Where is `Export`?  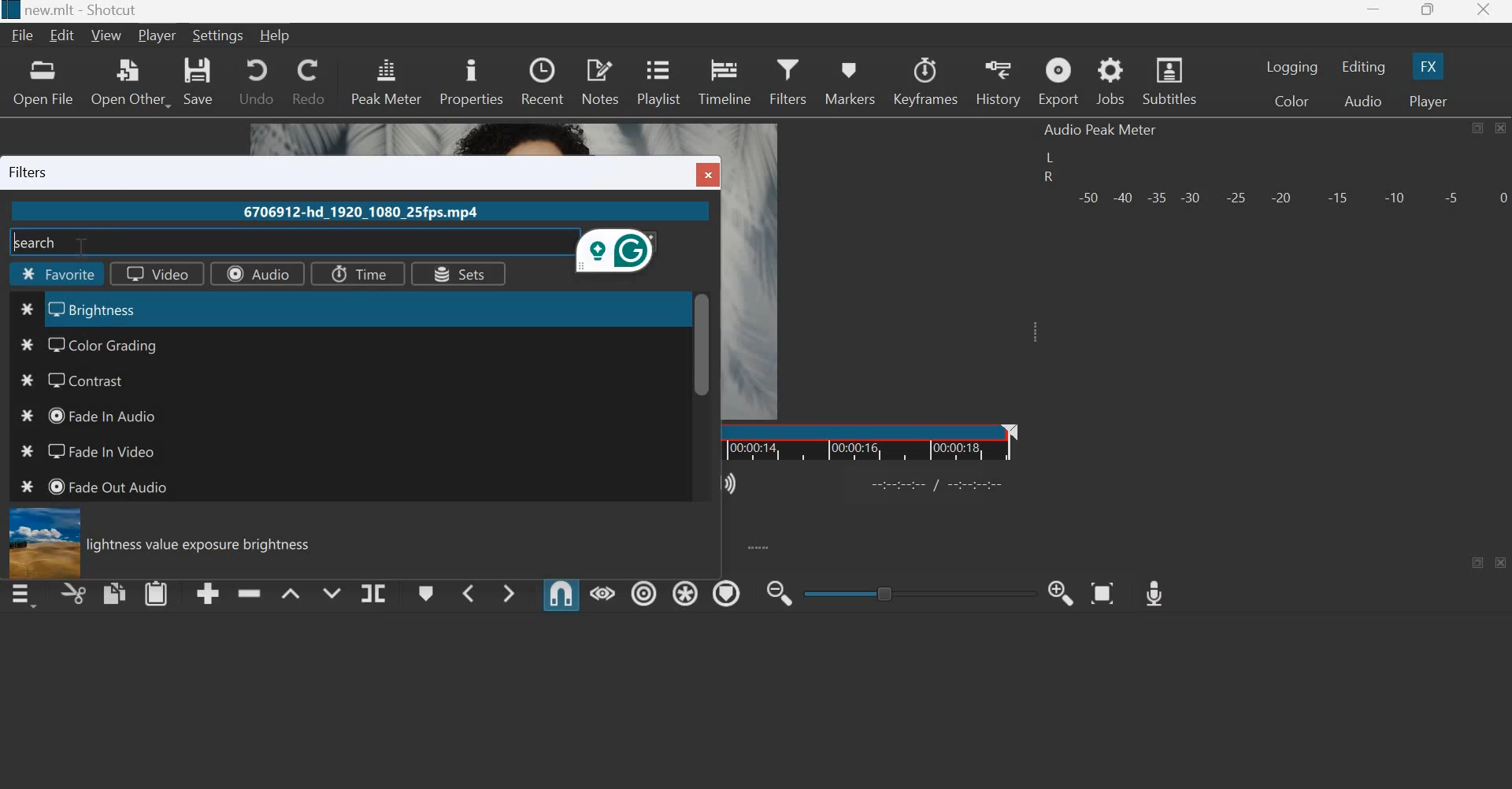 Export is located at coordinates (1058, 83).